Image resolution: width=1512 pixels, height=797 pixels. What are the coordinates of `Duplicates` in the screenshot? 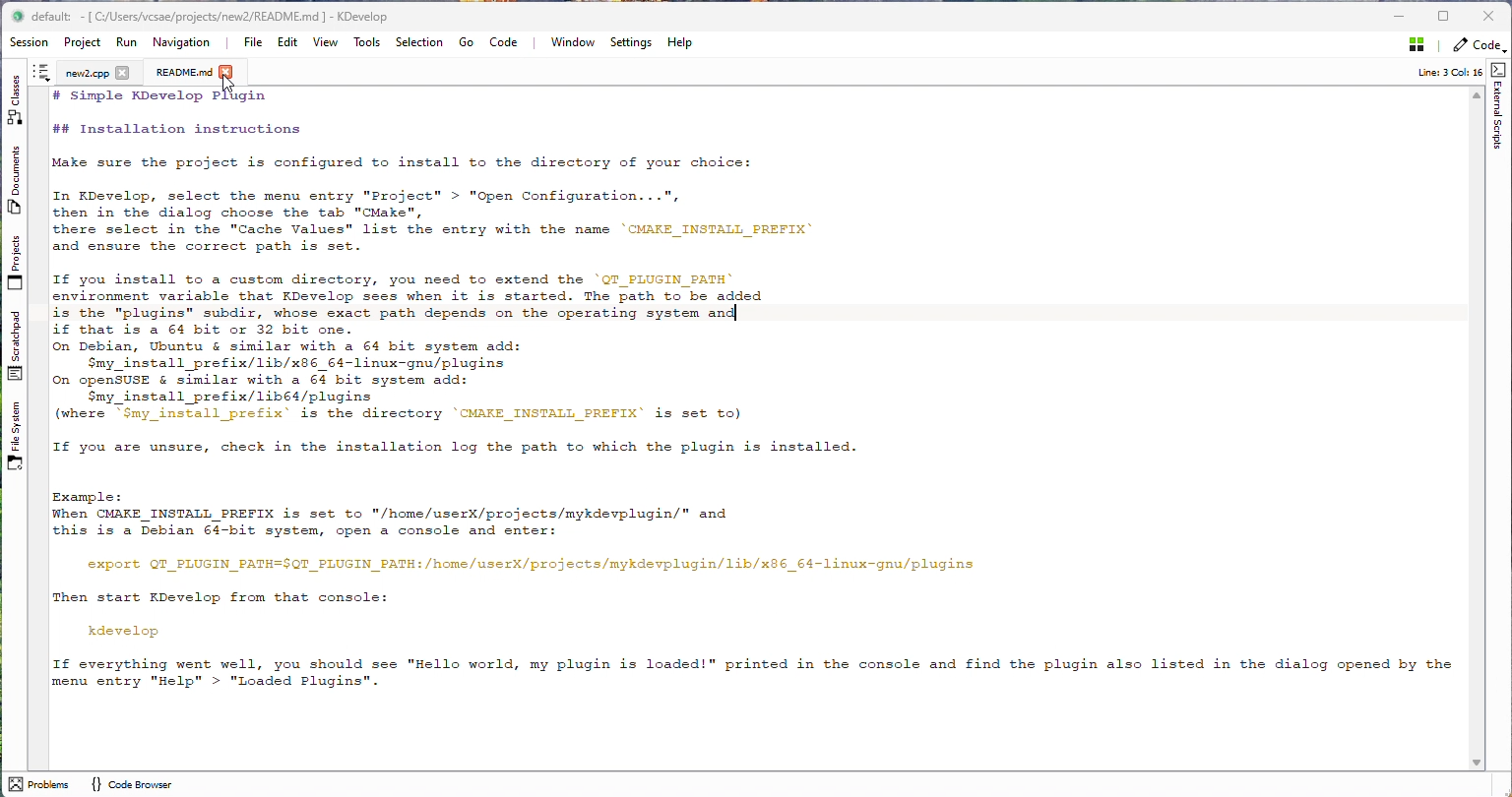 It's located at (16, 180).